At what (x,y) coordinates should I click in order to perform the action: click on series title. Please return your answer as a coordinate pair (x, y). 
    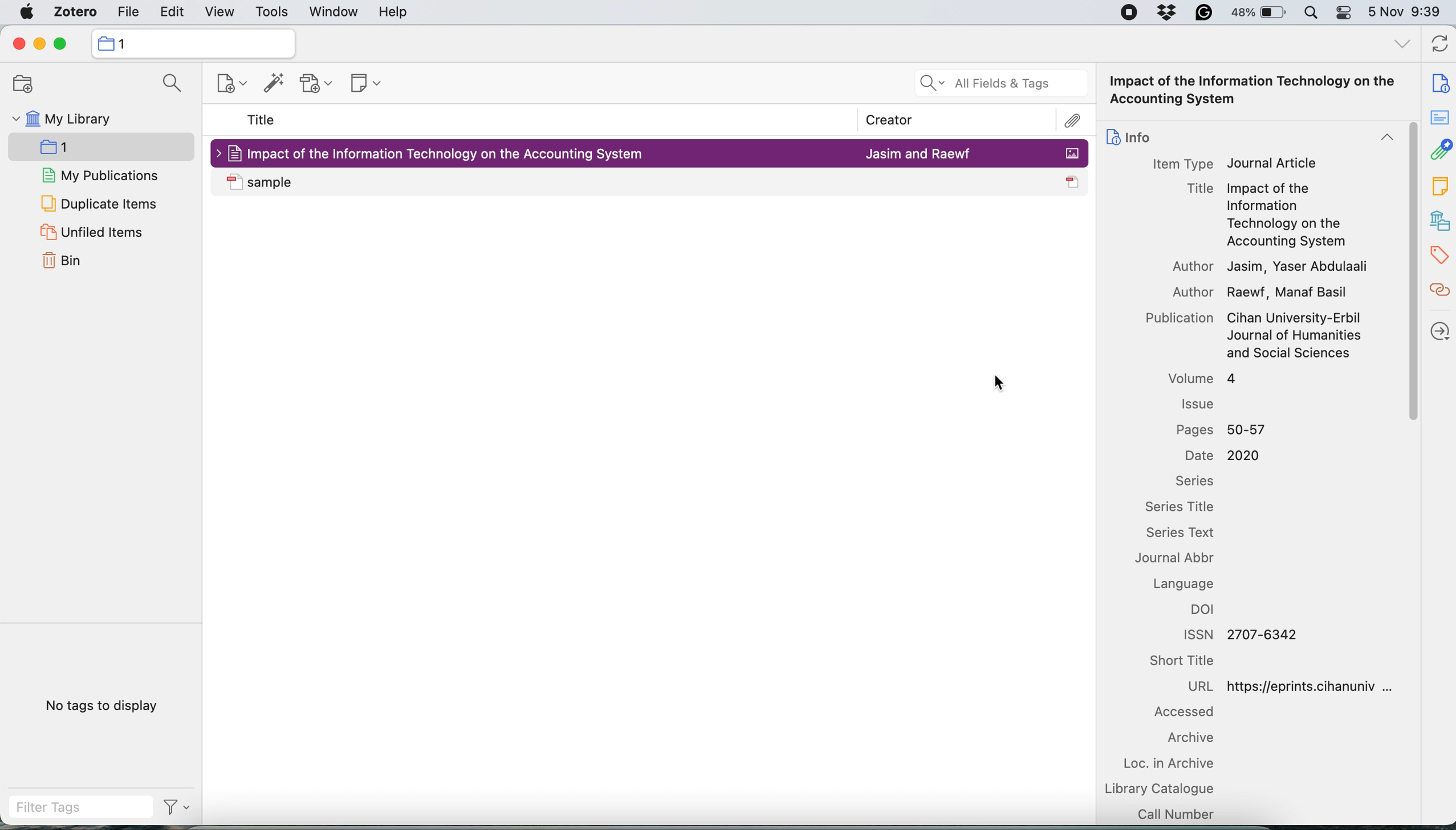
    Looking at the image, I should click on (1180, 507).